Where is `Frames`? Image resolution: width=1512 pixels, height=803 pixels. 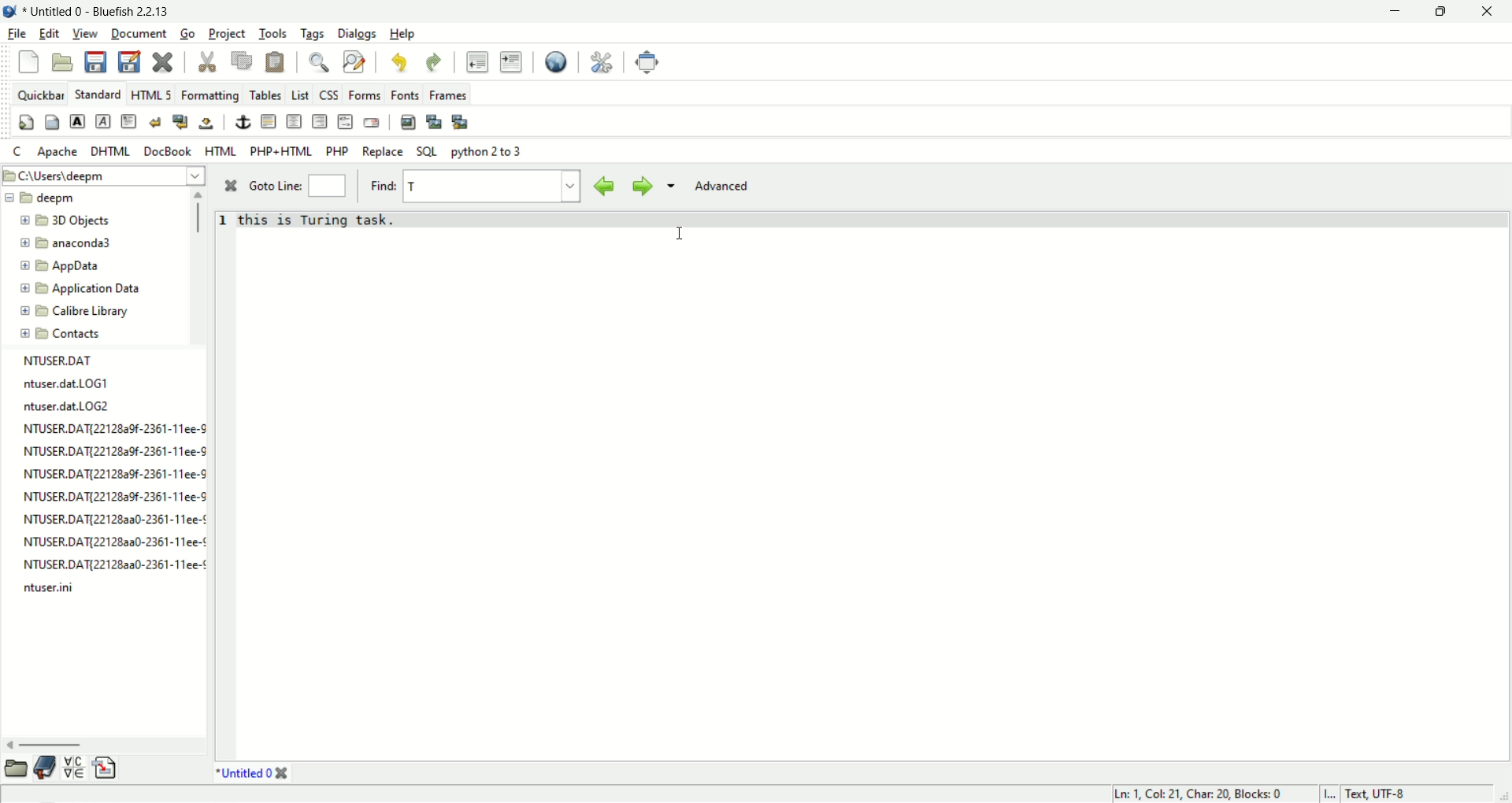 Frames is located at coordinates (448, 94).